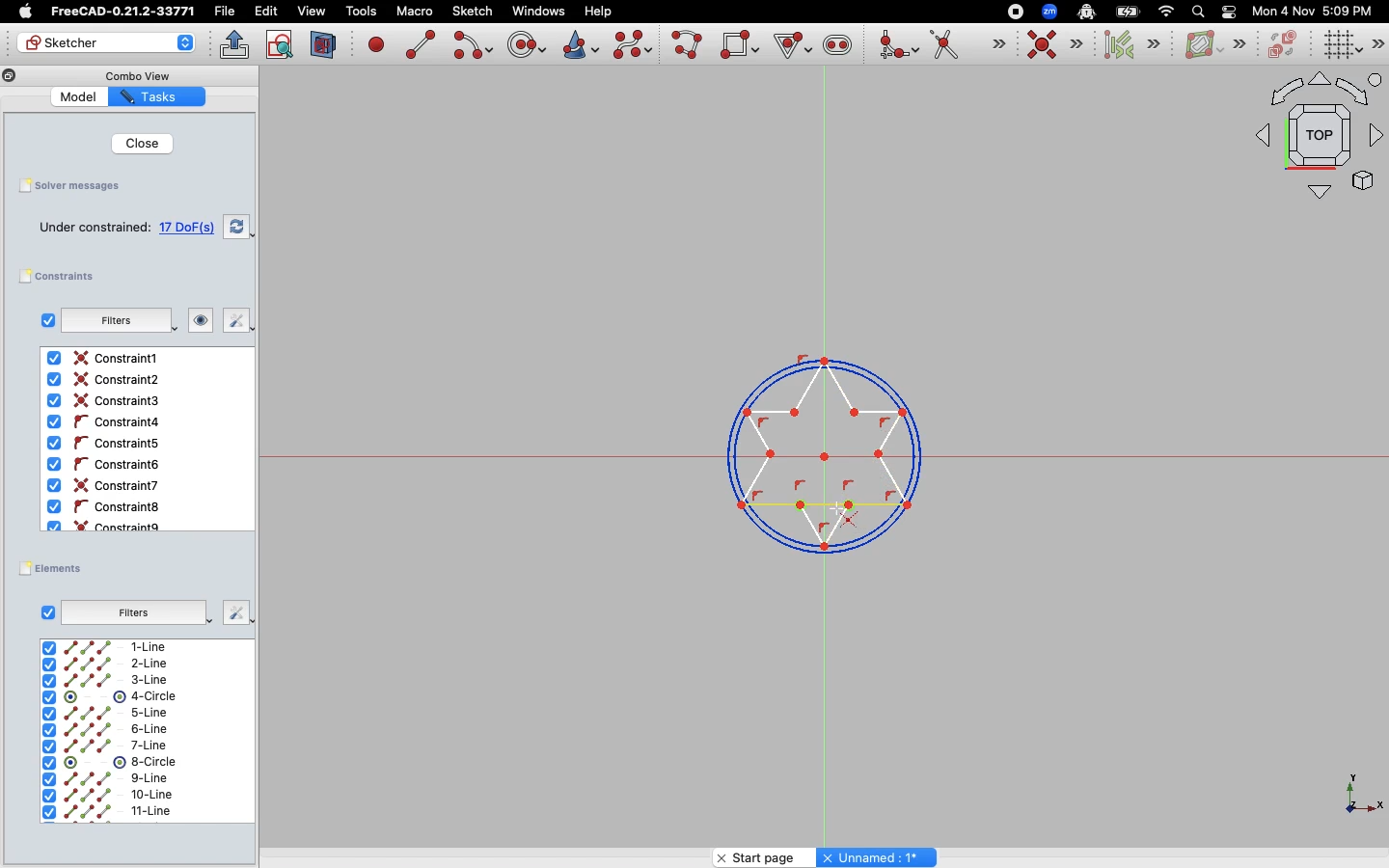  Describe the element at coordinates (103, 444) in the screenshot. I see `Constraint5` at that location.